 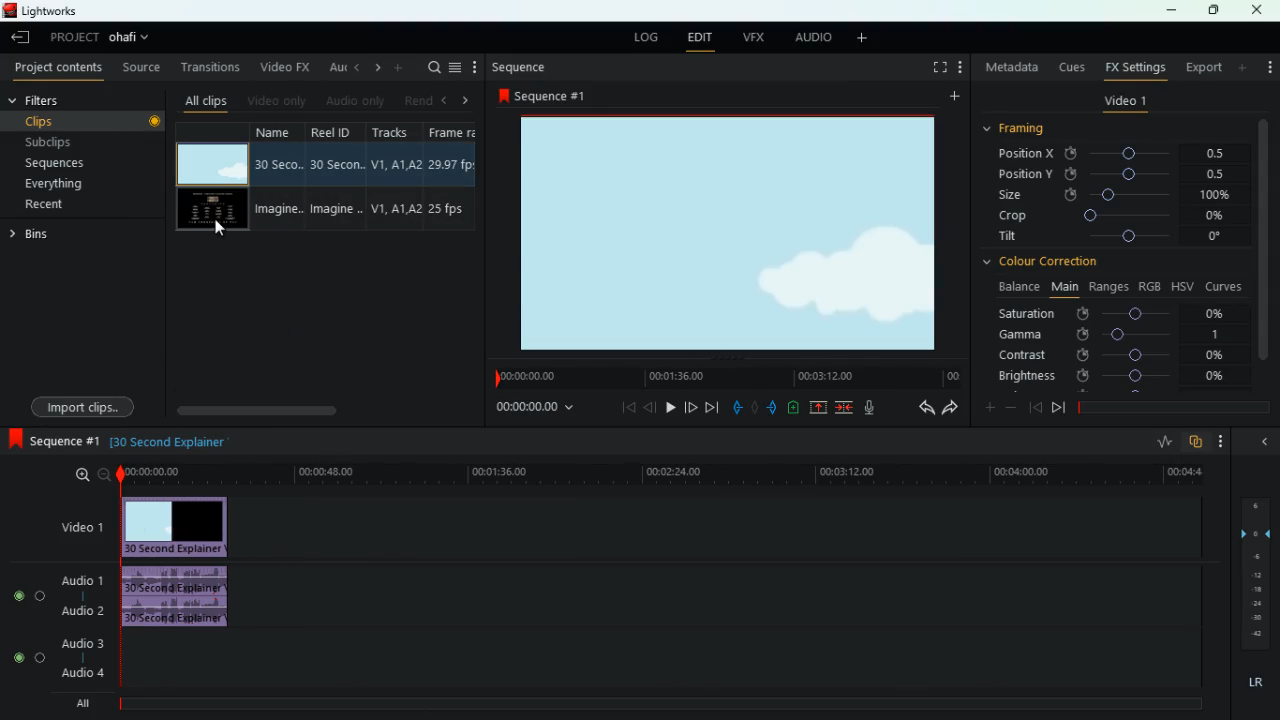 I want to click on more, so click(x=475, y=67).